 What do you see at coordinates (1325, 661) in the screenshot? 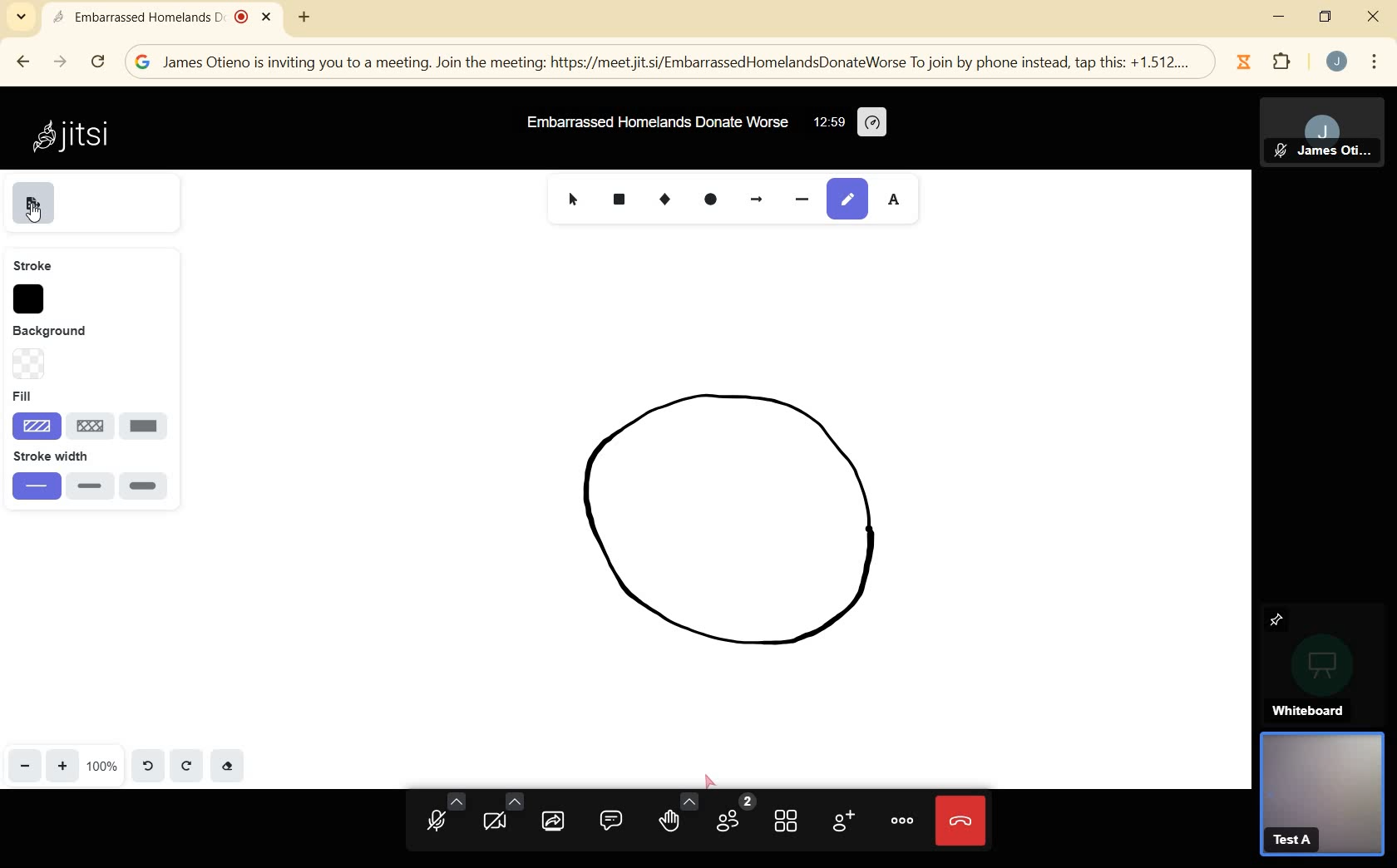
I see `WHITEBOARD PINNED` at bounding box center [1325, 661].